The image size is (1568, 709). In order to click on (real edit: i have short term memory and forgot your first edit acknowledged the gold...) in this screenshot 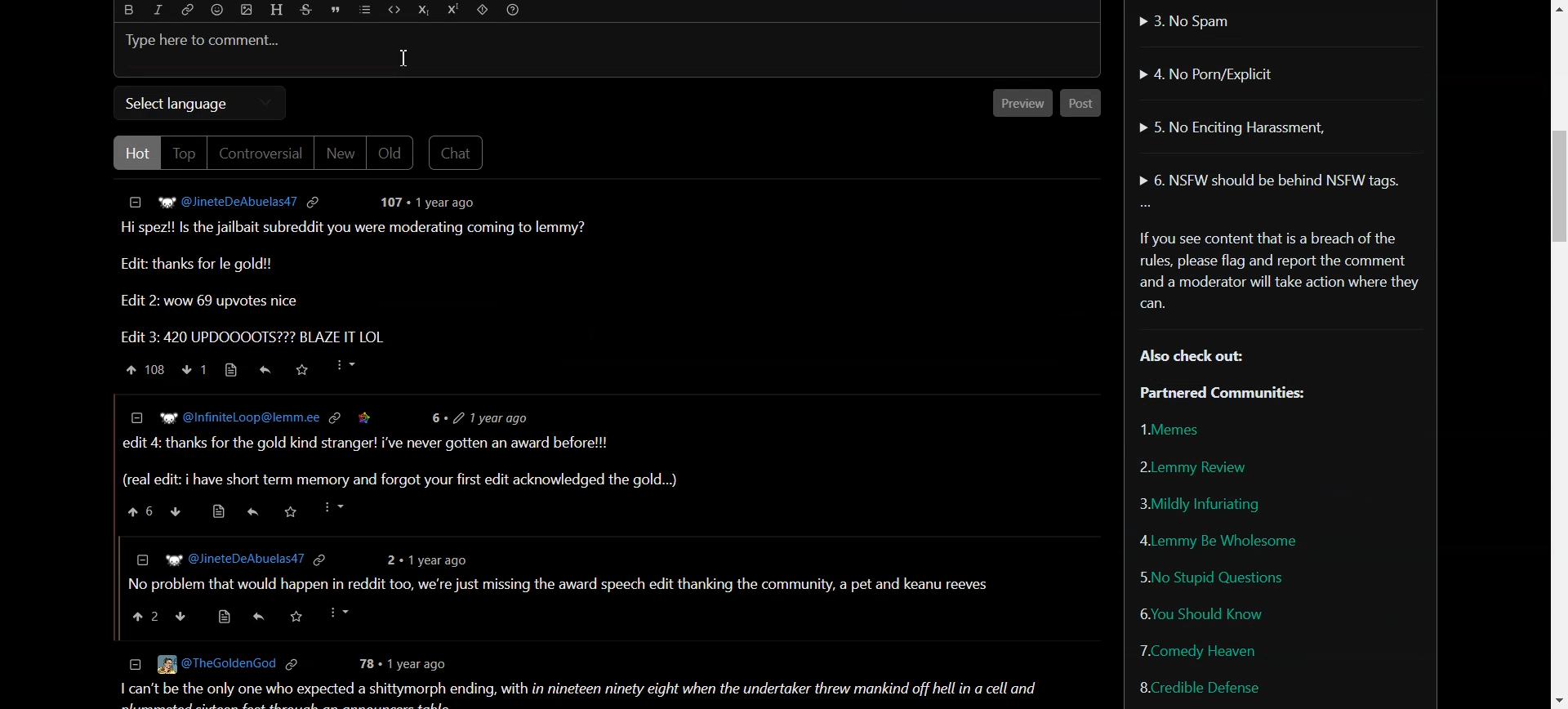, I will do `click(403, 481)`.